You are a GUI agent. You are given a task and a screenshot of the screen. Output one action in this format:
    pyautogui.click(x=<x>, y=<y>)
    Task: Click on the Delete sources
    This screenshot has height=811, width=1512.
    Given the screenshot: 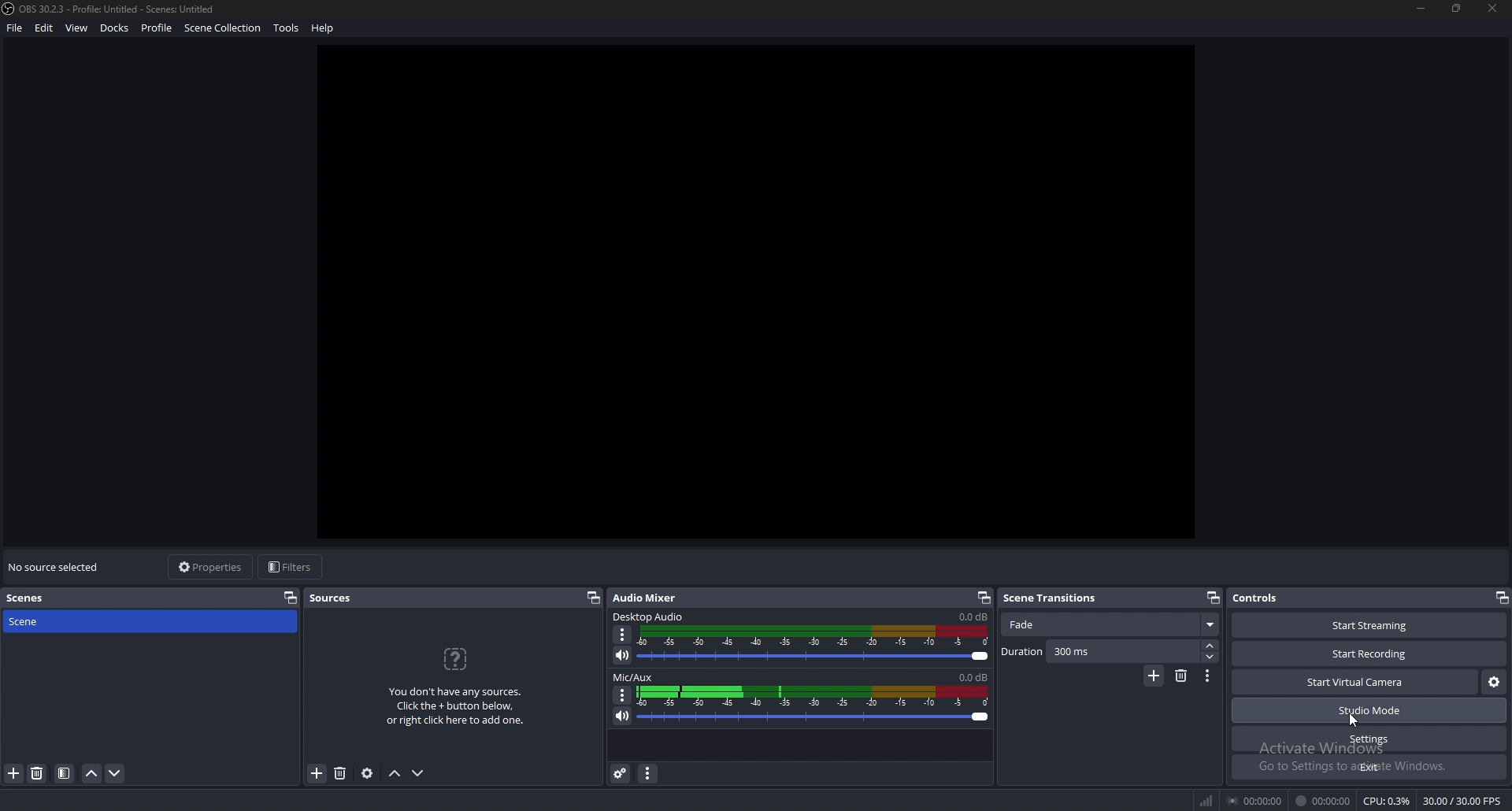 What is the action you would take?
    pyautogui.click(x=339, y=773)
    